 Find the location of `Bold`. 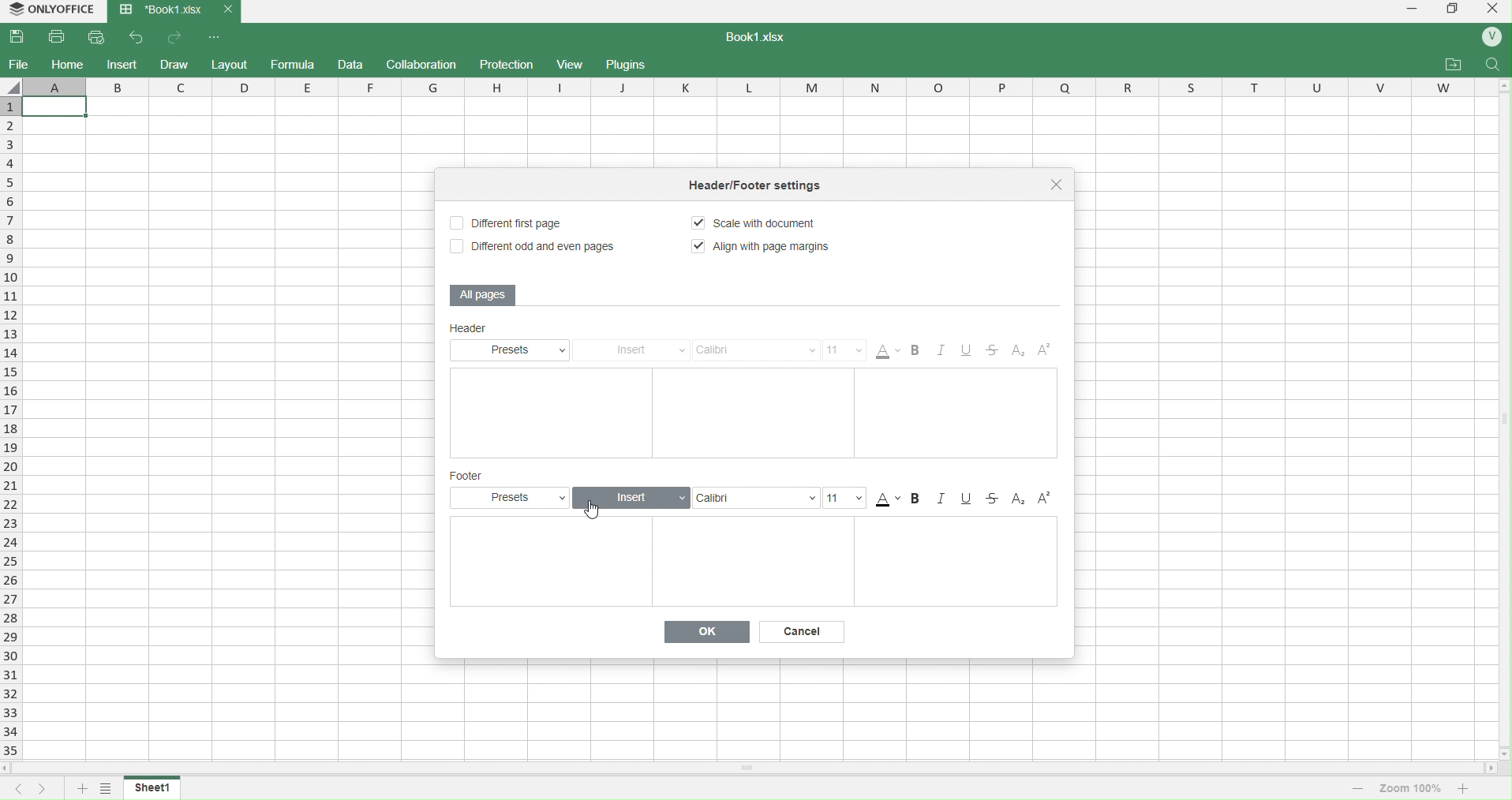

Bold is located at coordinates (920, 499).